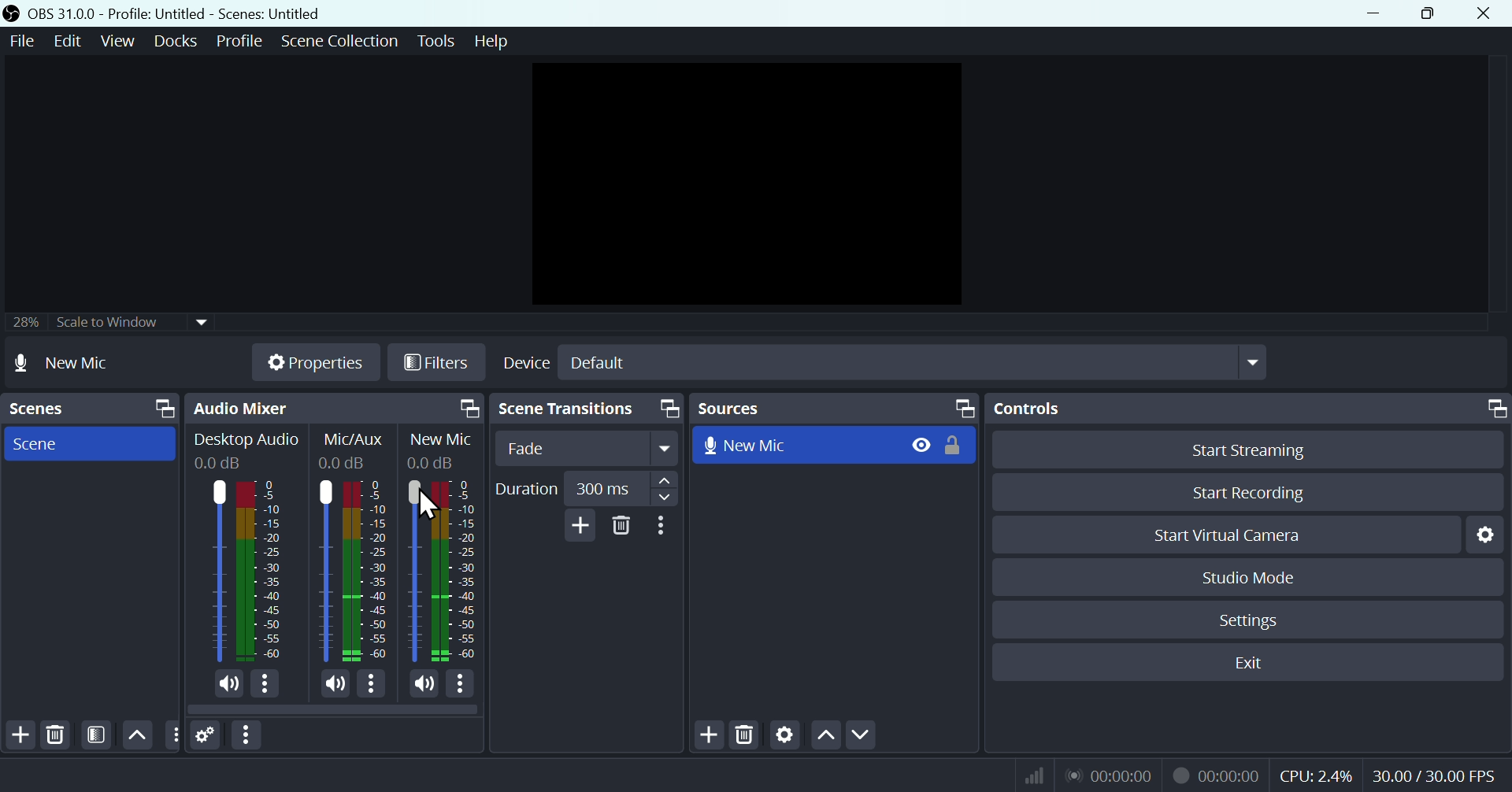  Describe the element at coordinates (94, 735) in the screenshot. I see `FILTER` at that location.